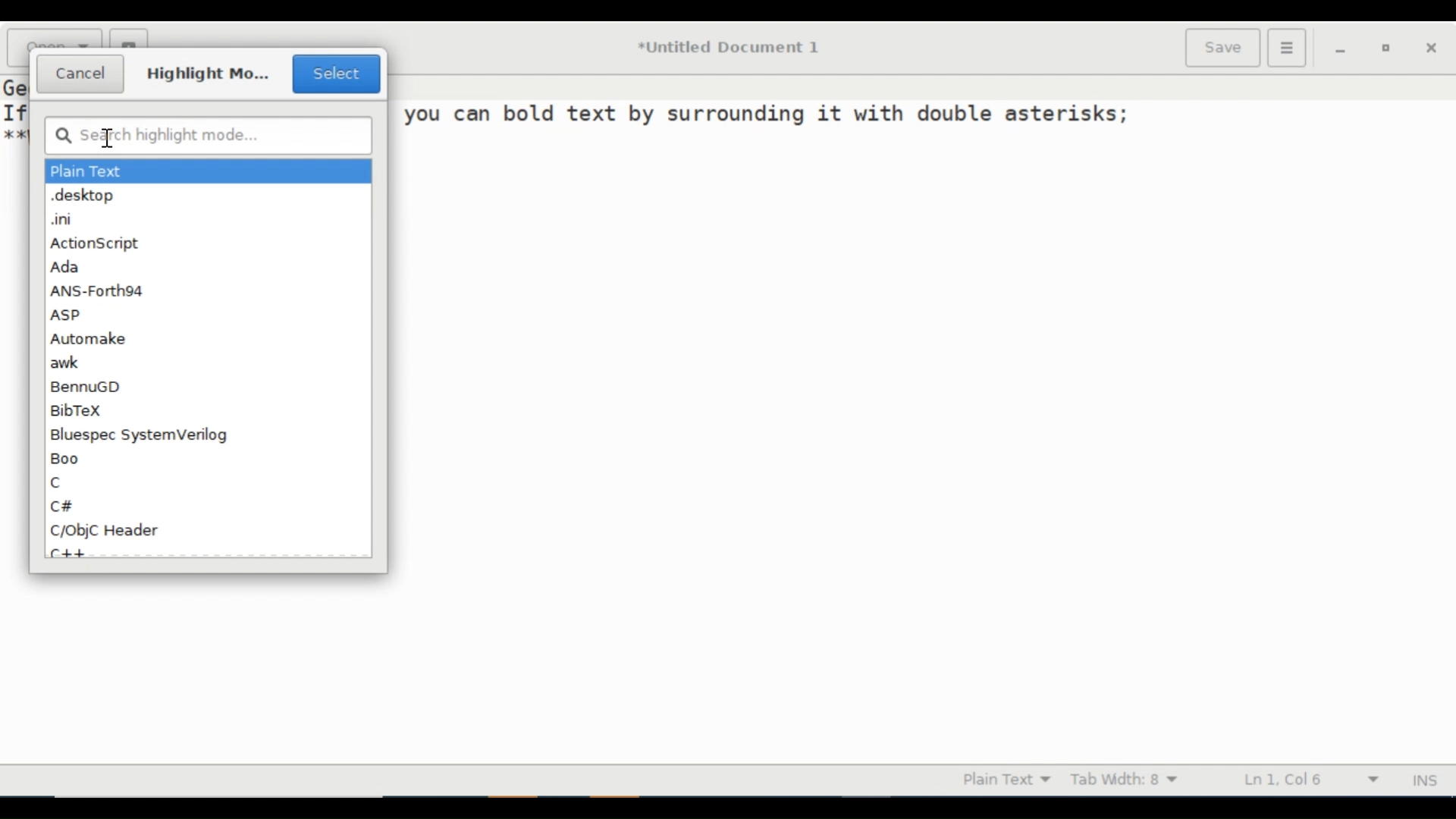 The height and width of the screenshot is (819, 1456). I want to click on Tab Width, so click(1136, 780).